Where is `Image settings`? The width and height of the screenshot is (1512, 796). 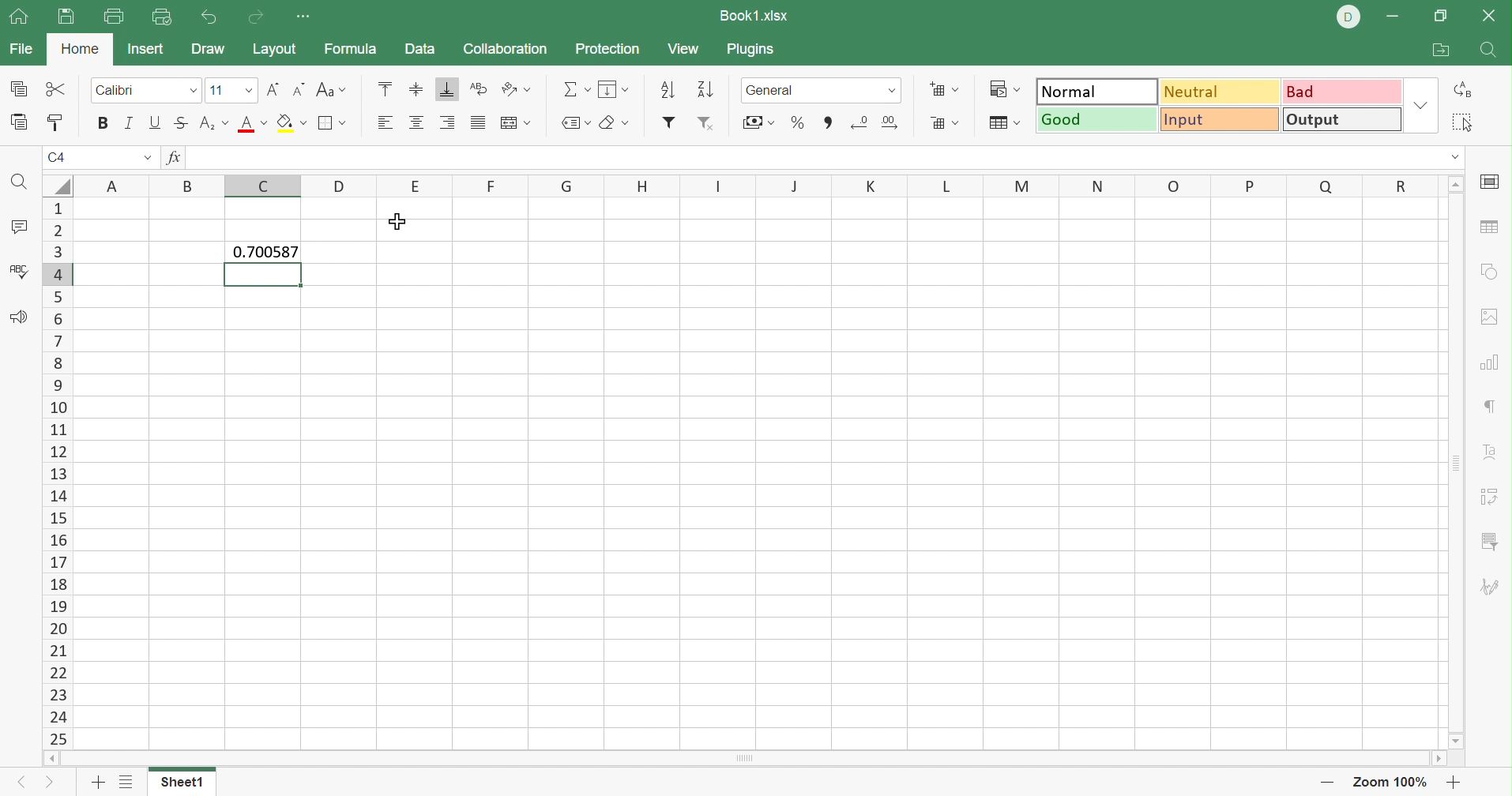 Image settings is located at coordinates (1492, 317).